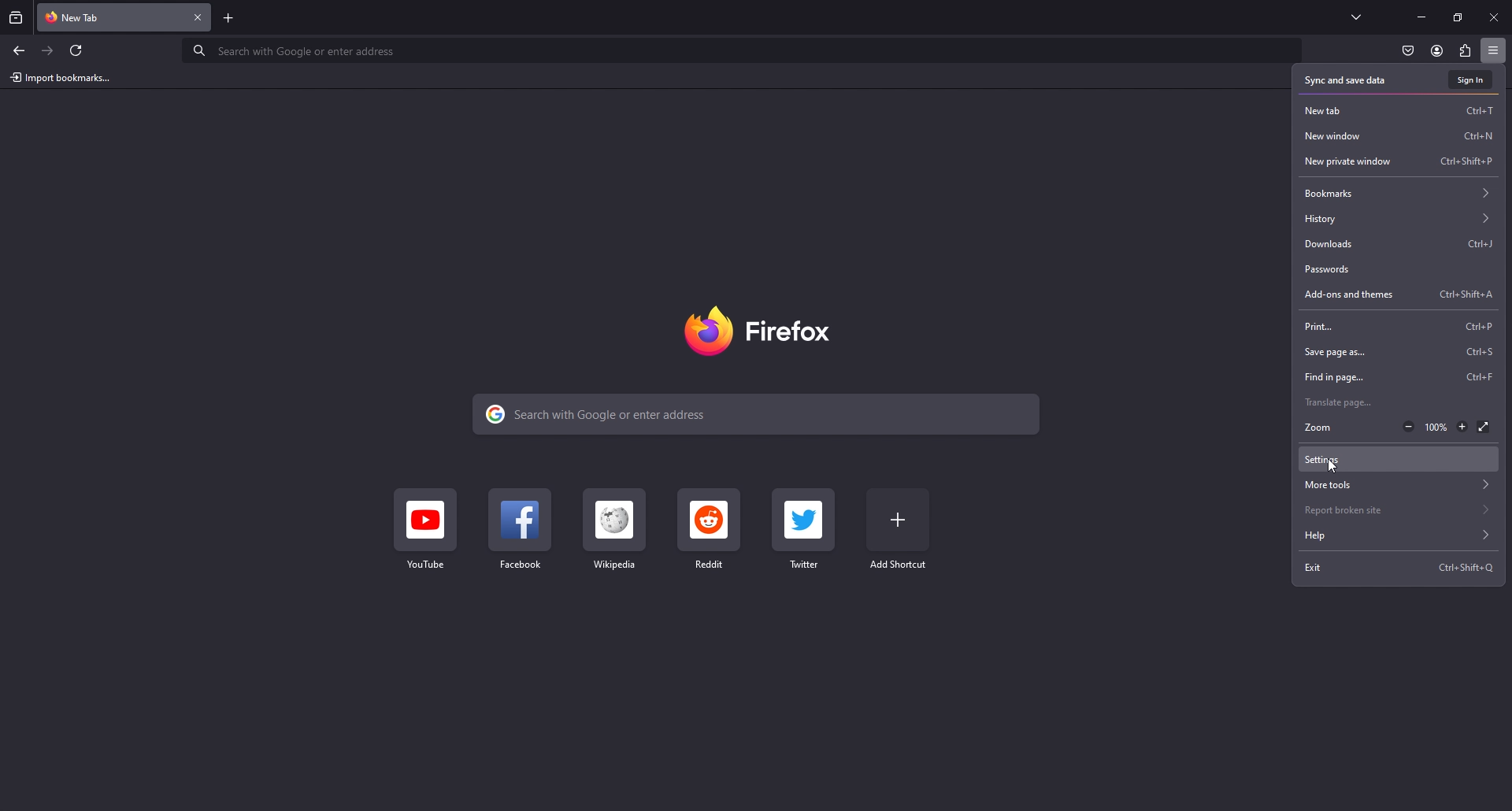  I want to click on profile, so click(1436, 50).